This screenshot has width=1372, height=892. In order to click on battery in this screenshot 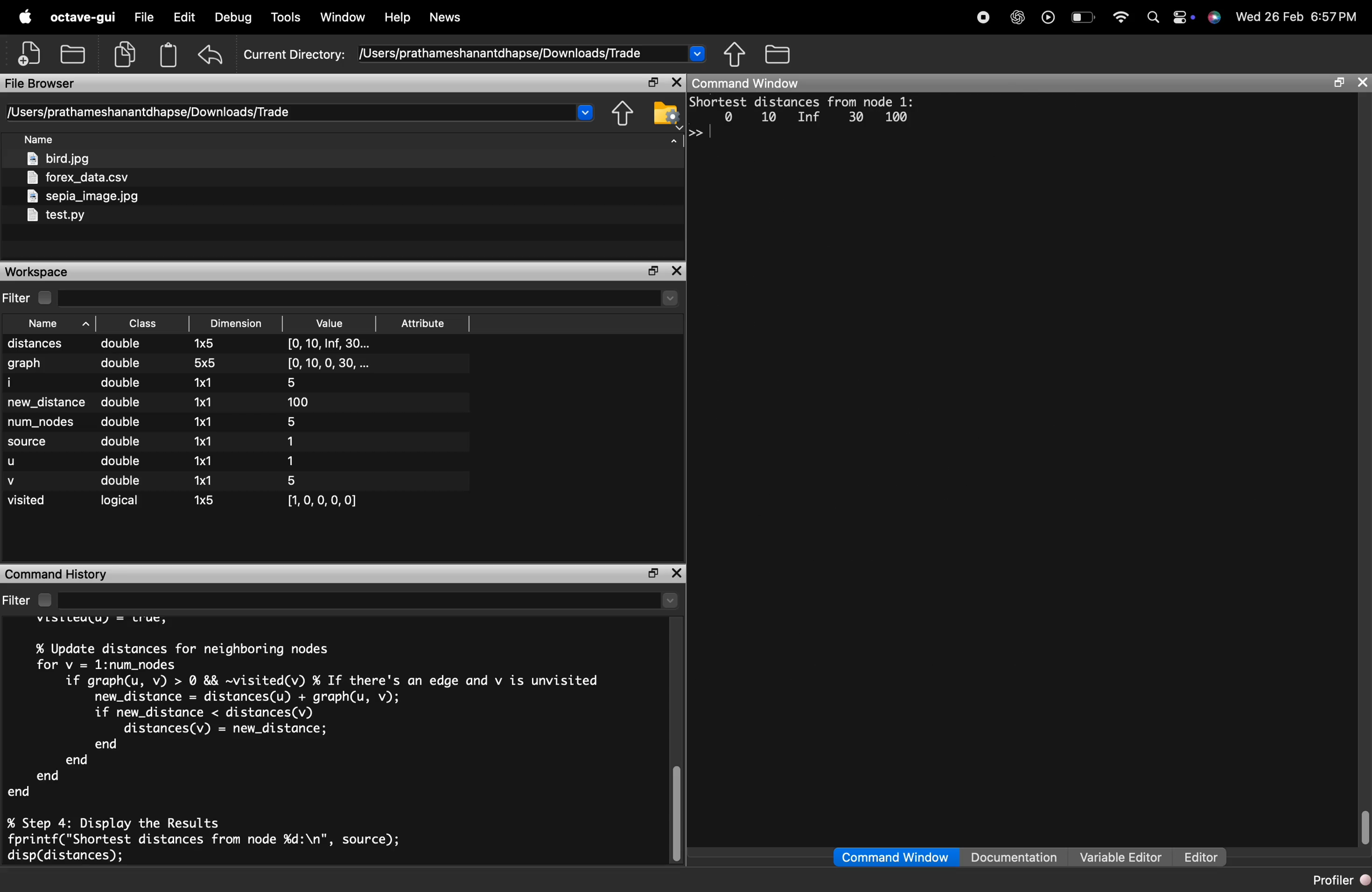, I will do `click(1086, 18)`.